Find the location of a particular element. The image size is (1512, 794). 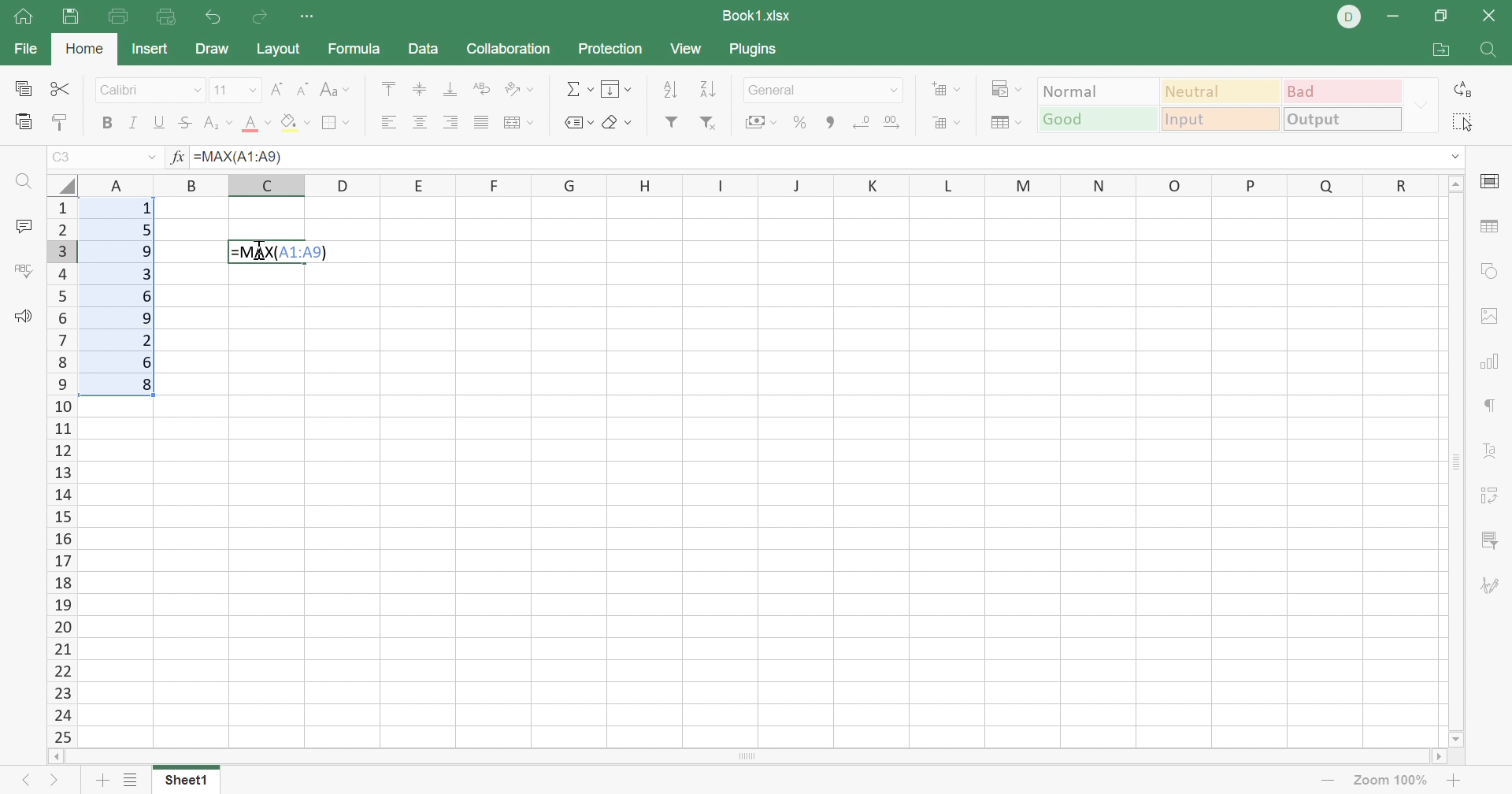

Currency style is located at coordinates (760, 123).